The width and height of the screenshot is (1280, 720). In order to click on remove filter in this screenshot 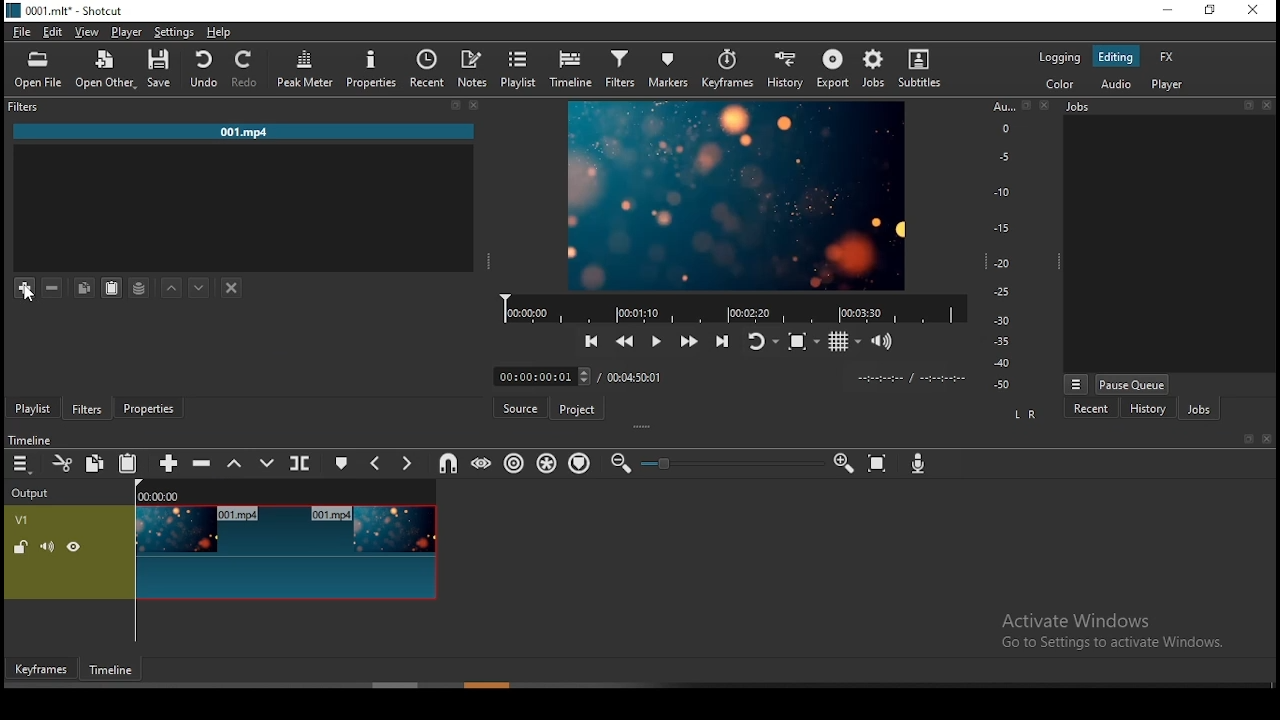, I will do `click(53, 288)`.